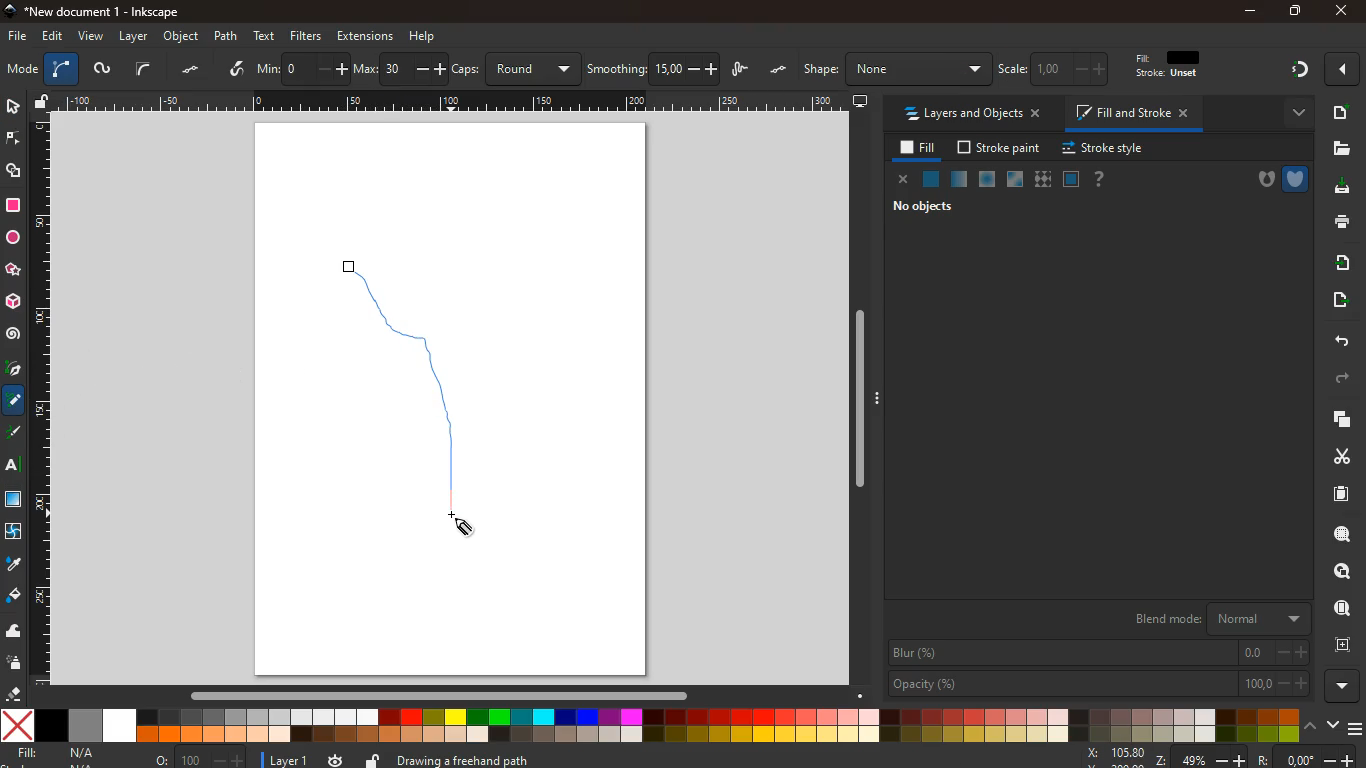 The width and height of the screenshot is (1366, 768). What do you see at coordinates (1291, 113) in the screenshot?
I see `more` at bounding box center [1291, 113].